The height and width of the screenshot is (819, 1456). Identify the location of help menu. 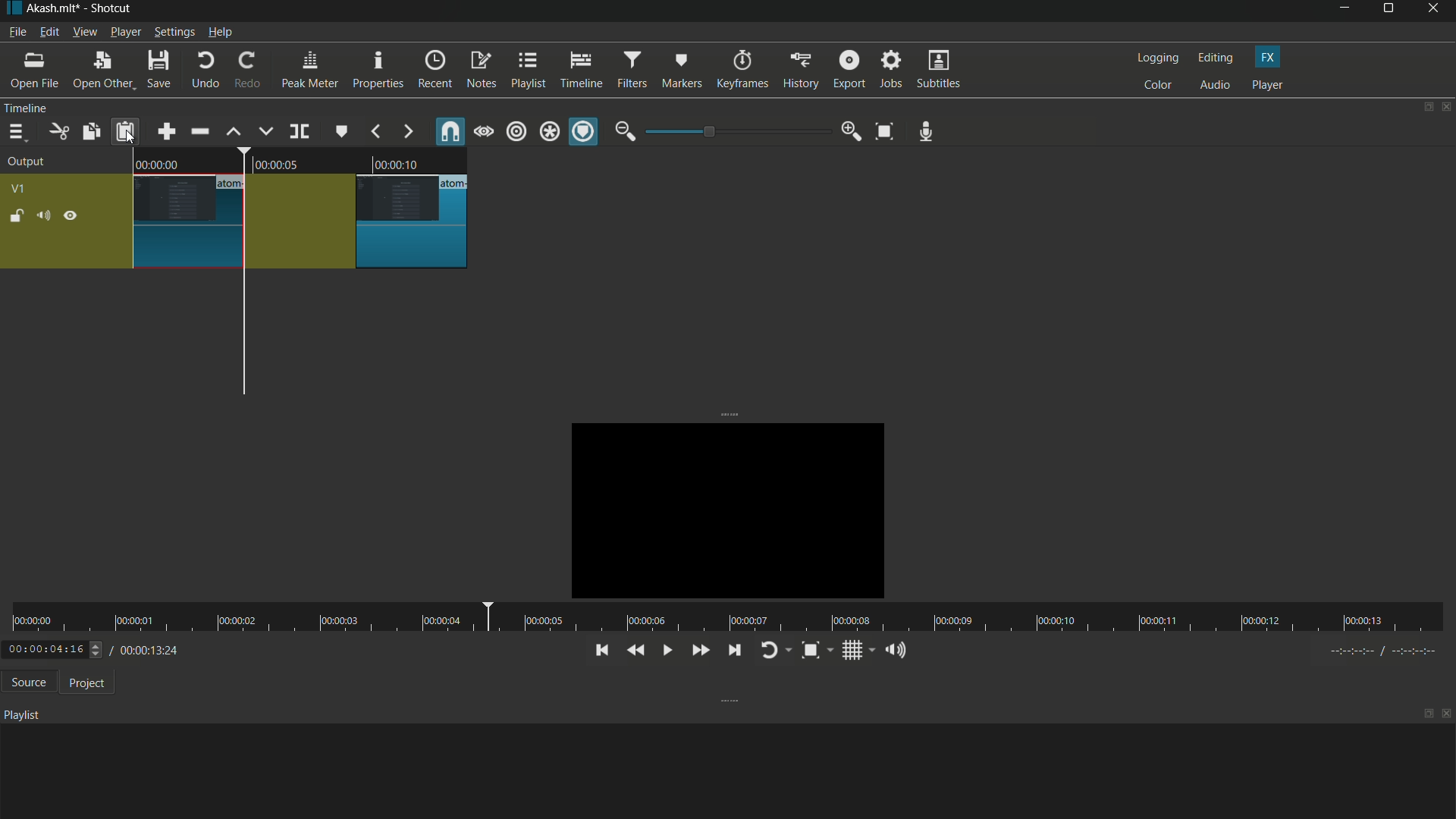
(221, 32).